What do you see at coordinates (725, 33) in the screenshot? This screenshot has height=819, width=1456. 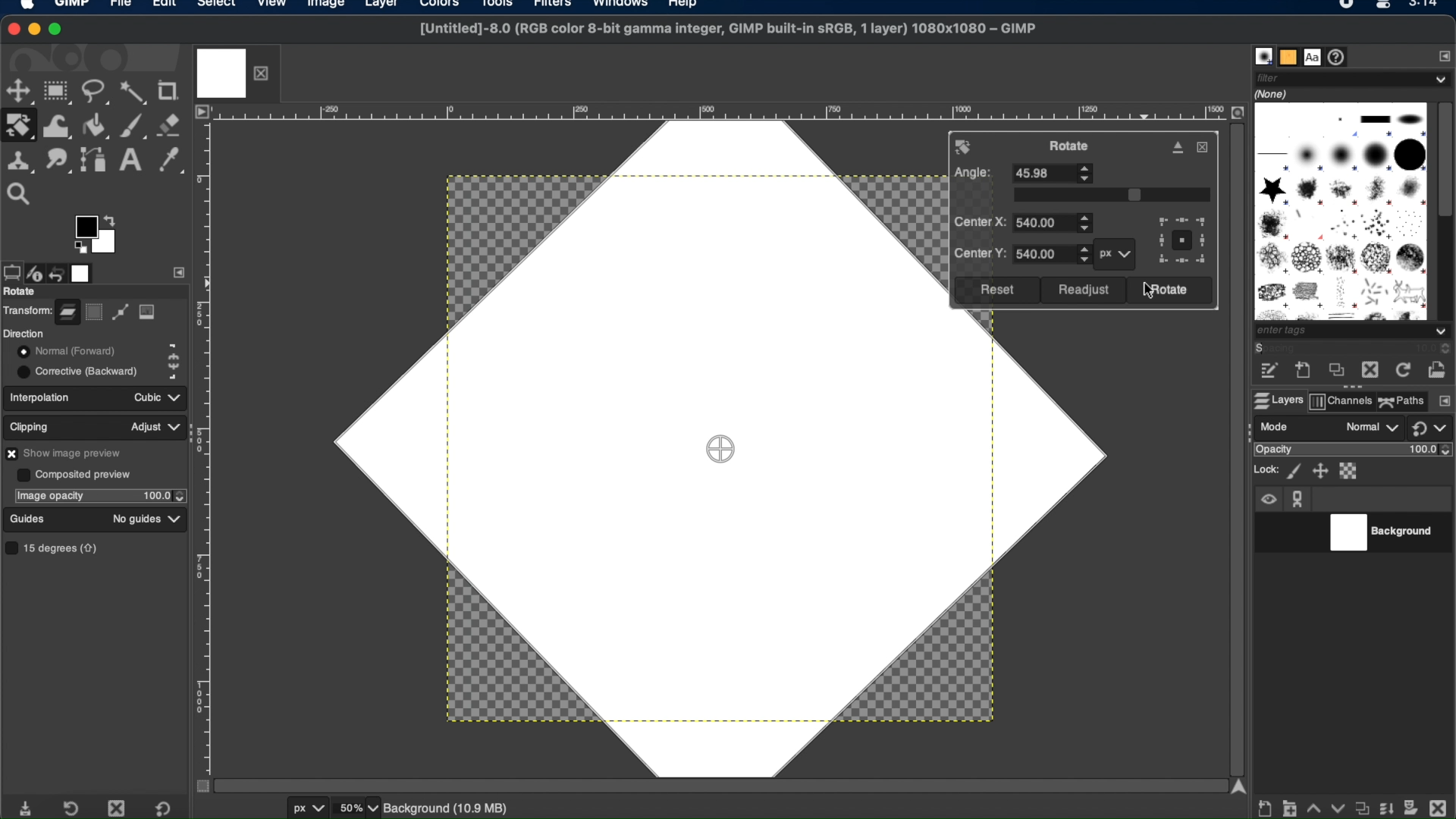 I see `[Untitled]-8.0 (RGB color 8-bit gamma integer, GIMP built-in sRGB, 1 layer) 1080x1080 - GIMP` at bounding box center [725, 33].